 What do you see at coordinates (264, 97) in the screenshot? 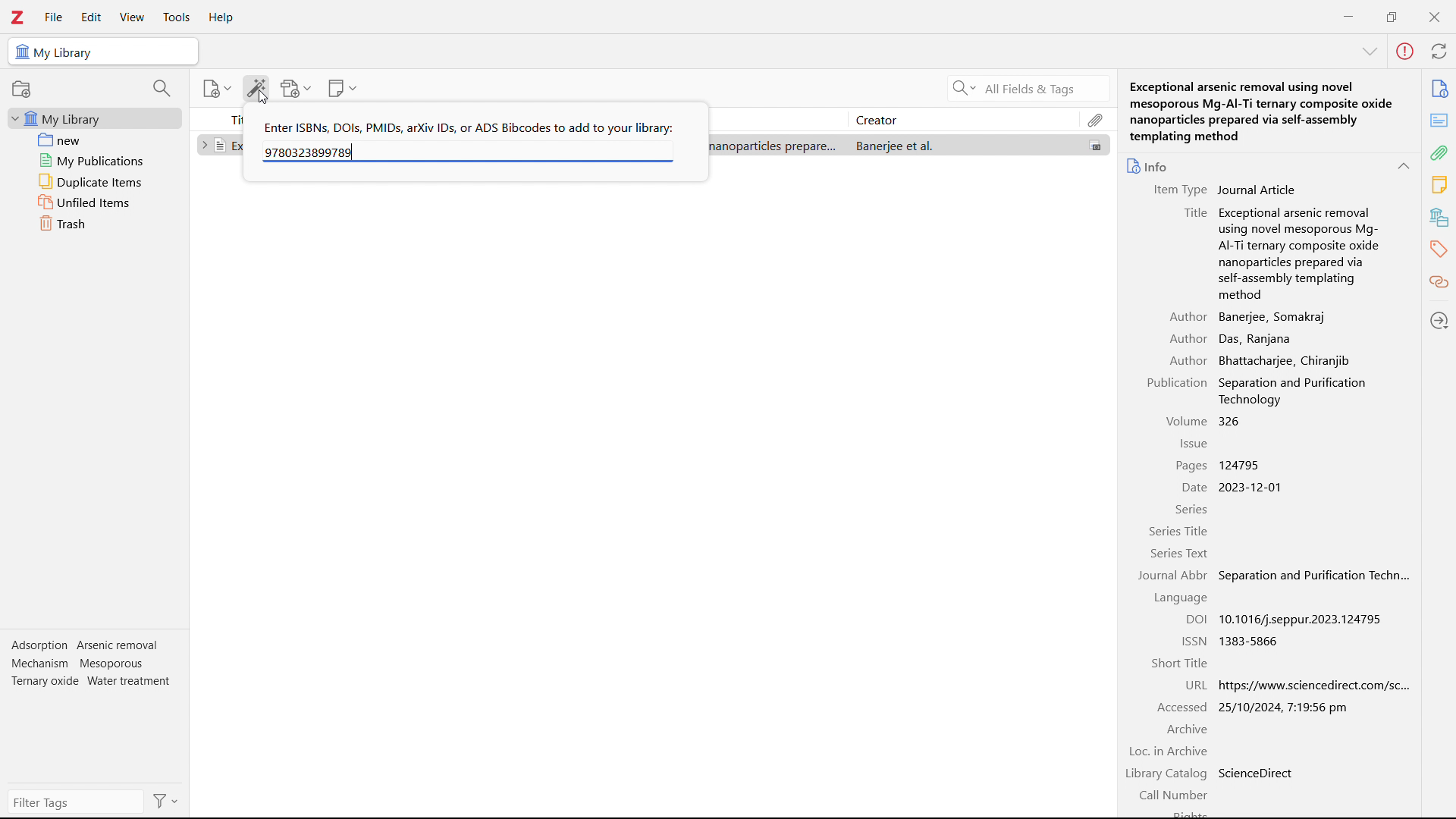
I see `cursor` at bounding box center [264, 97].